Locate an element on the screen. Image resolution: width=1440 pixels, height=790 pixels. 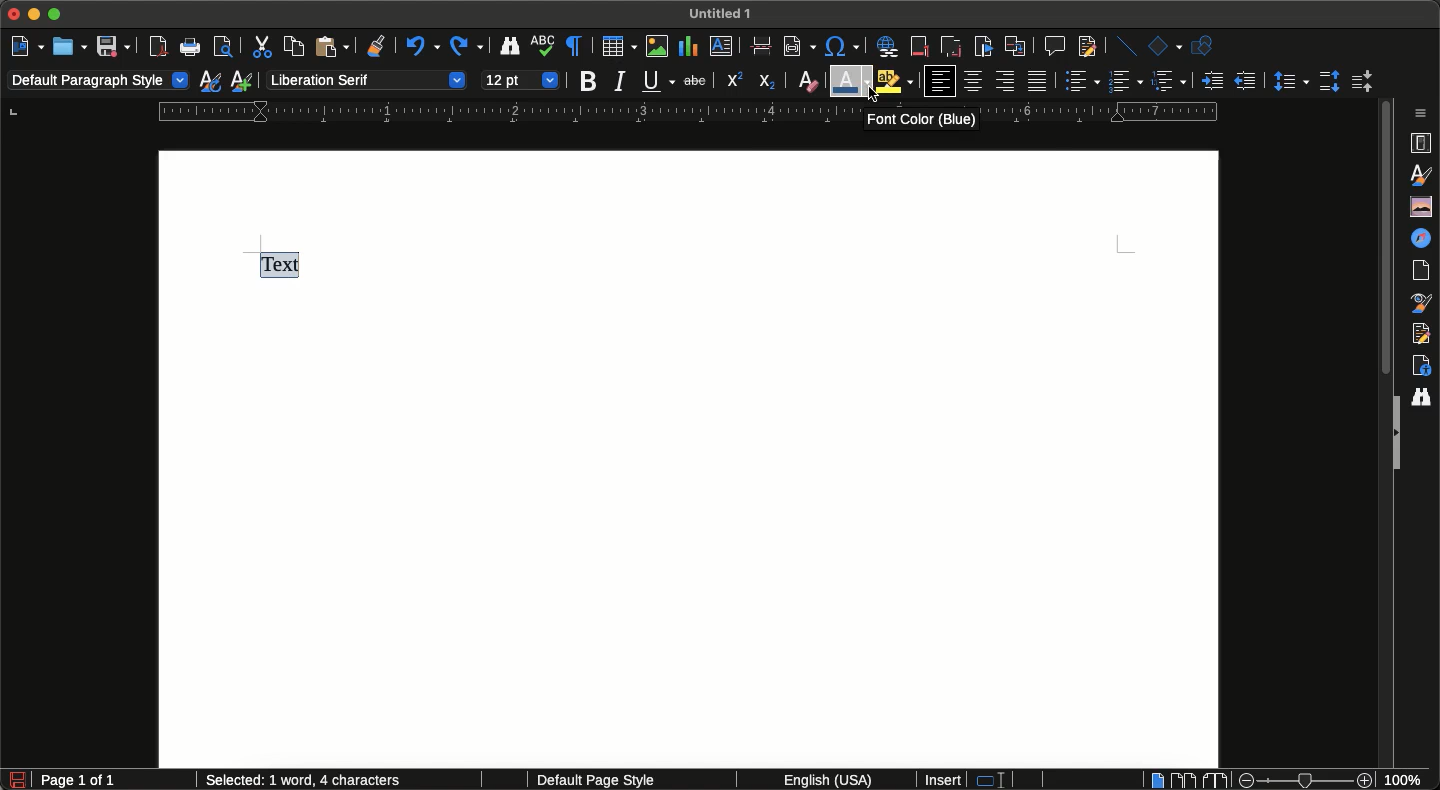
Minimize is located at coordinates (37, 16).